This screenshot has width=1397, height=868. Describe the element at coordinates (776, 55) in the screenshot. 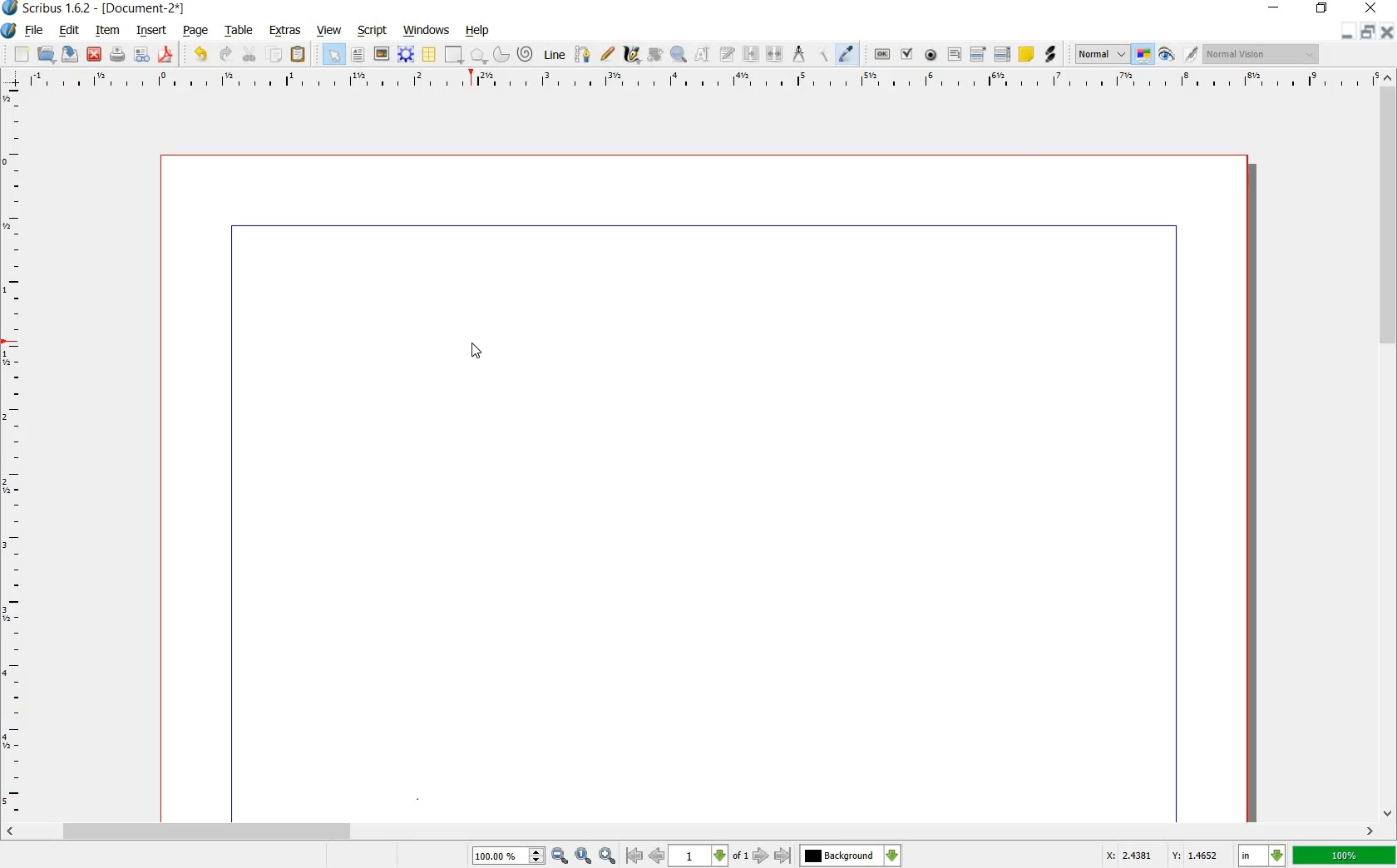

I see `UNLINK TEXT FRAME` at that location.